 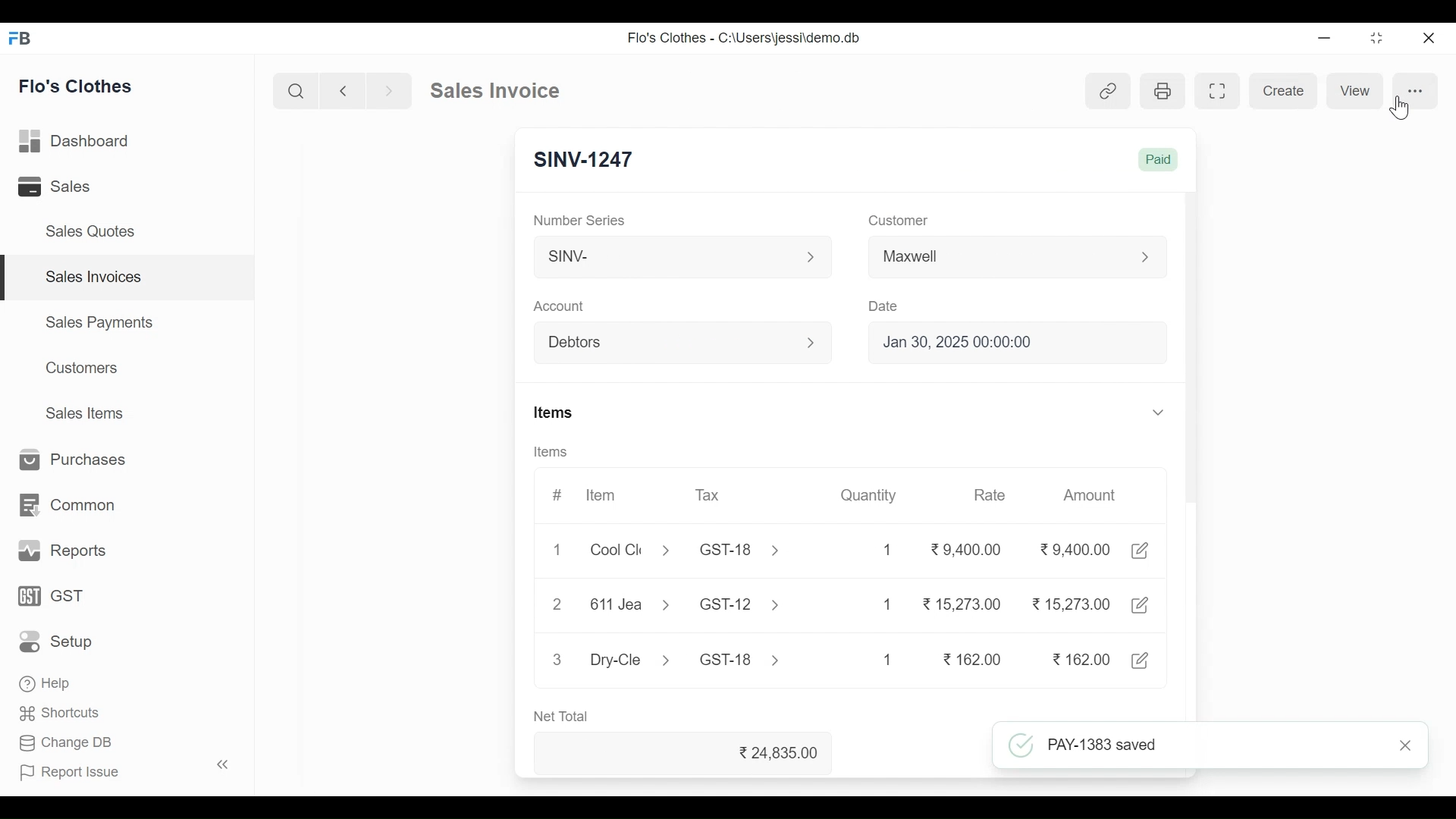 What do you see at coordinates (1143, 660) in the screenshot?
I see `Edit` at bounding box center [1143, 660].